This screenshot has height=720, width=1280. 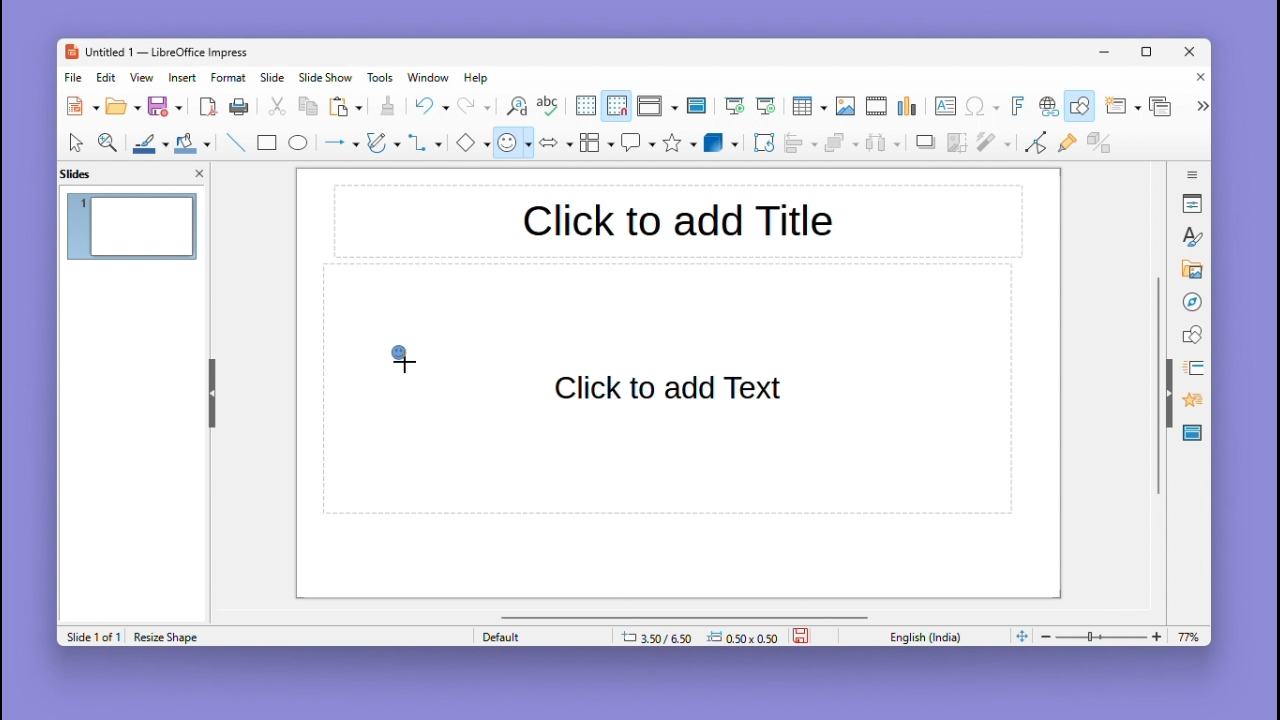 What do you see at coordinates (766, 106) in the screenshot?
I see `Last slide` at bounding box center [766, 106].